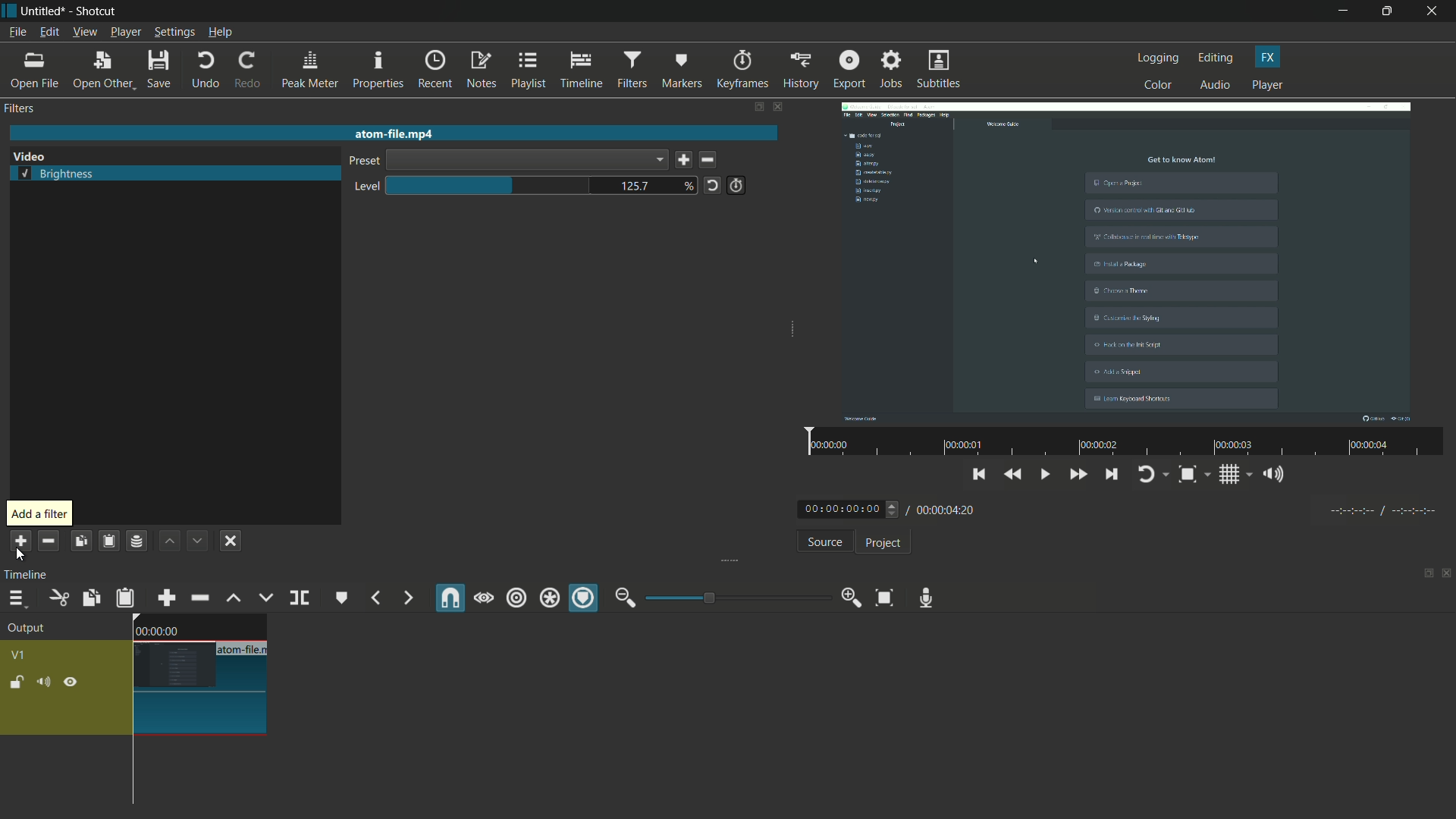 This screenshot has width=1456, height=819. I want to click on atom-file.mp4, so click(393, 133).